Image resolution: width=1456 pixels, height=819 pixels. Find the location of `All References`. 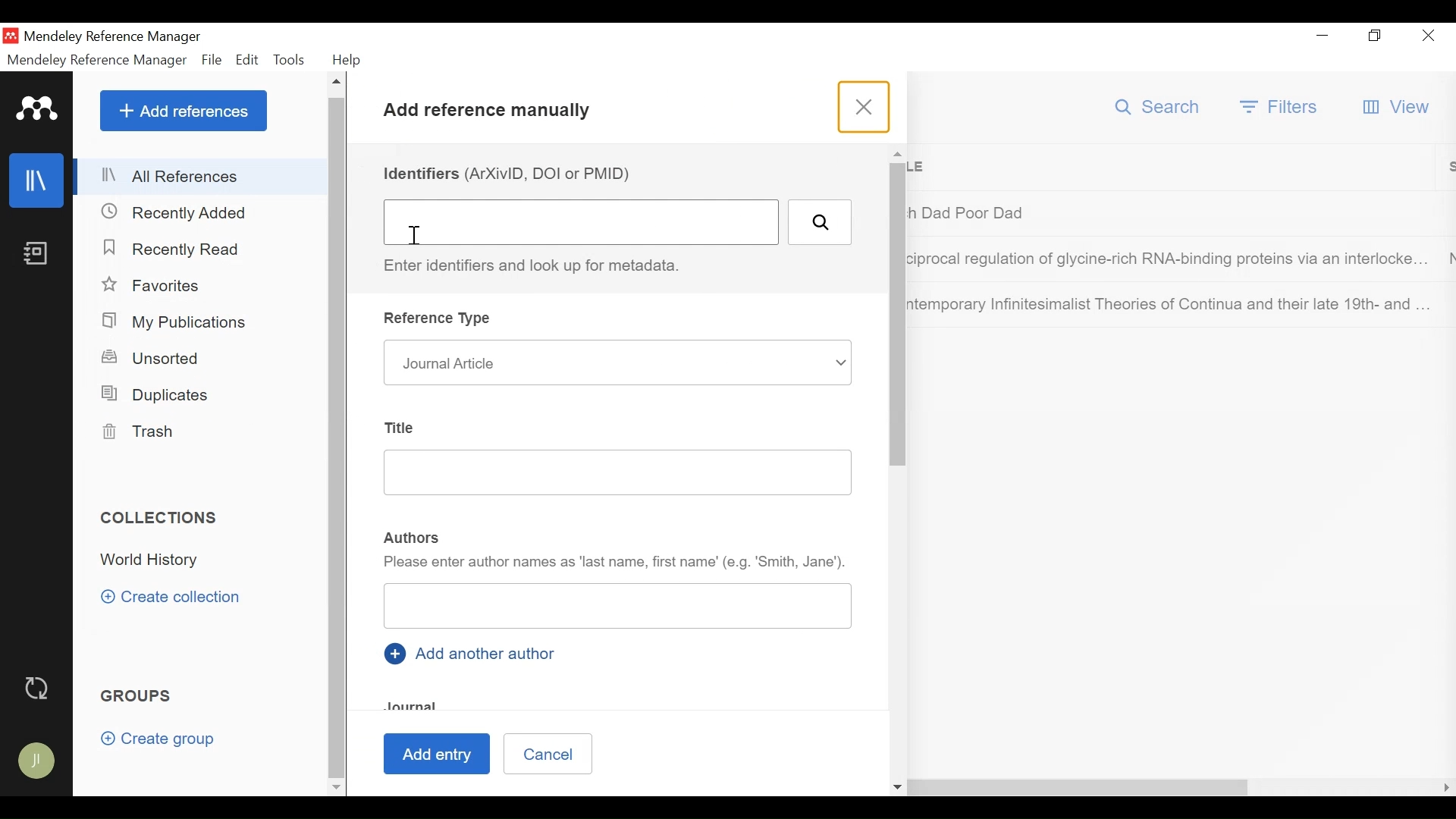

All References is located at coordinates (199, 177).